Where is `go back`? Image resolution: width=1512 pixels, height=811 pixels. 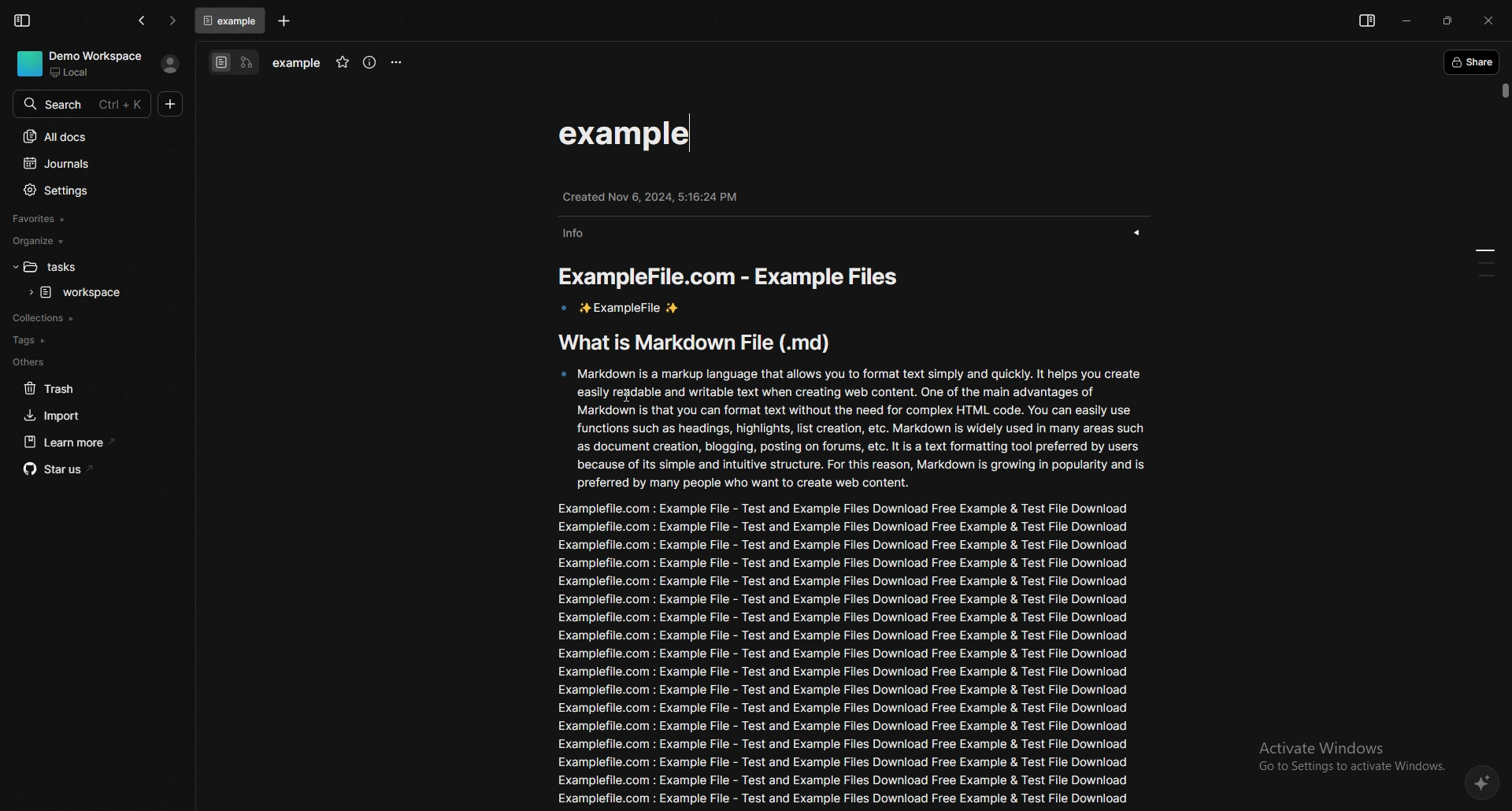
go back is located at coordinates (143, 20).